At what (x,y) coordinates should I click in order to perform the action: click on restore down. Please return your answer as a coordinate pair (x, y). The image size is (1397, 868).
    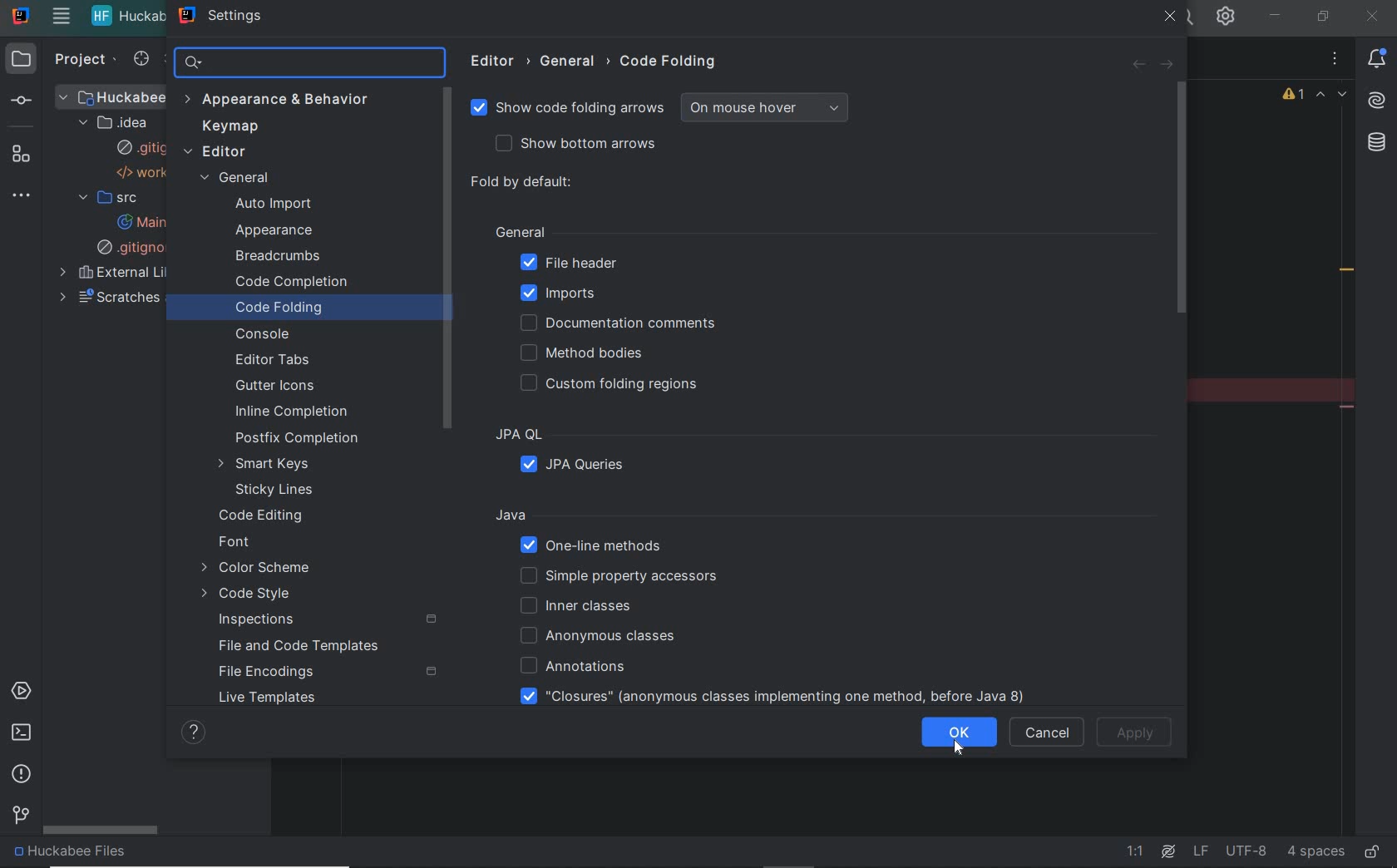
    Looking at the image, I should click on (1325, 17).